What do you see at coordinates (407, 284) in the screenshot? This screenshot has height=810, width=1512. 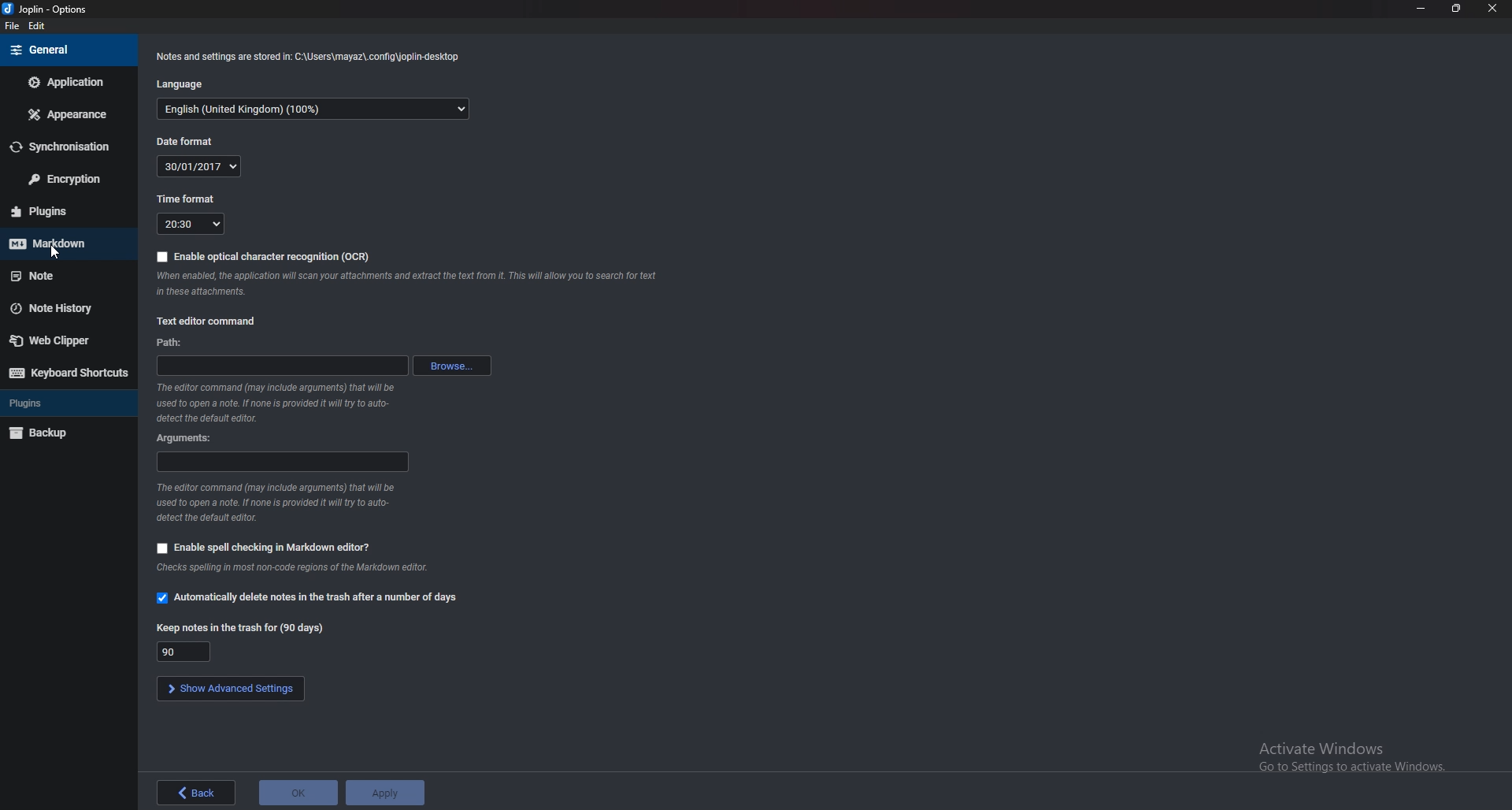 I see `Info` at bounding box center [407, 284].